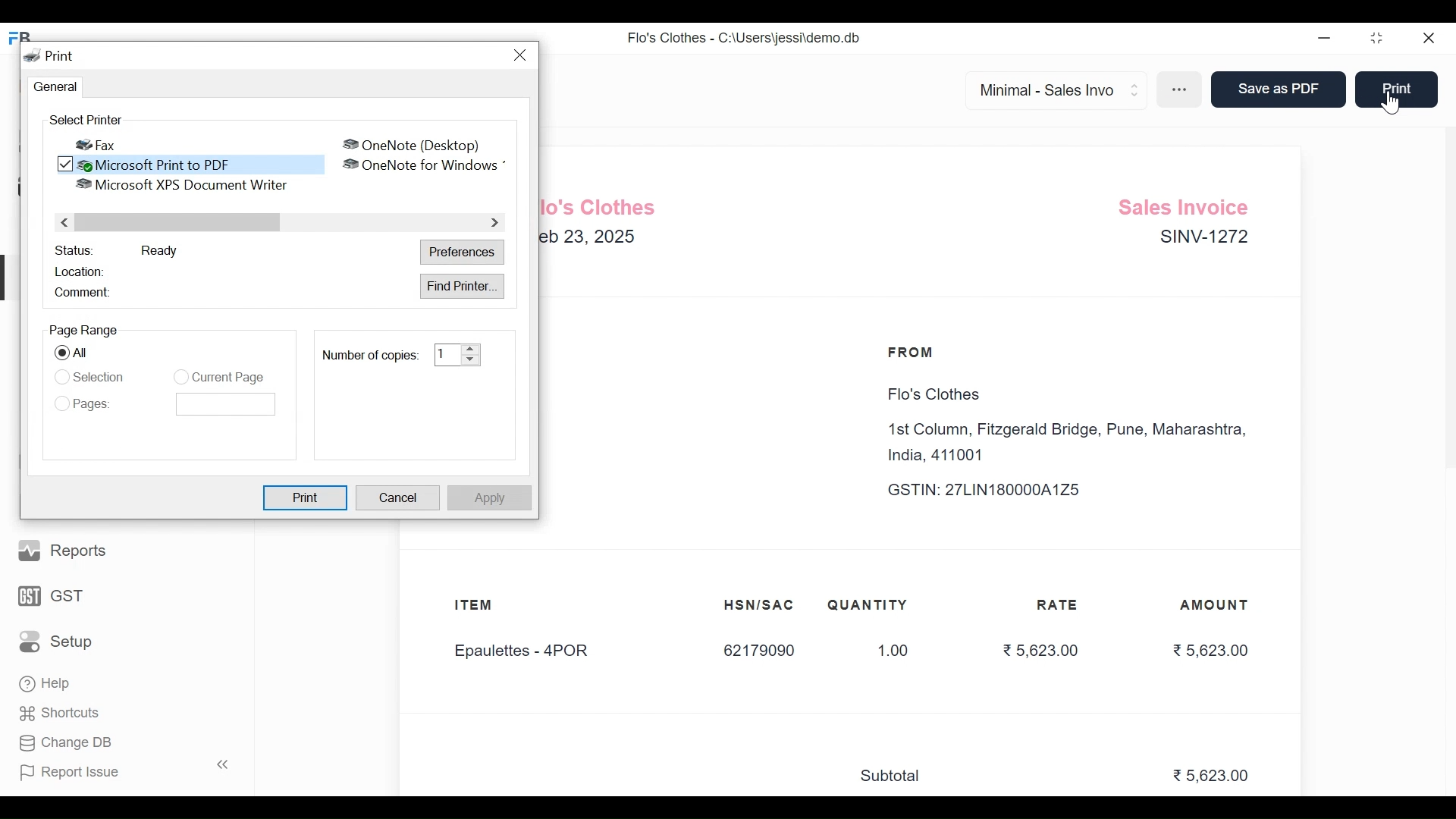  Describe the element at coordinates (998, 490) in the screenshot. I see `GSTIN: 27LIN180000A1Z5` at that location.